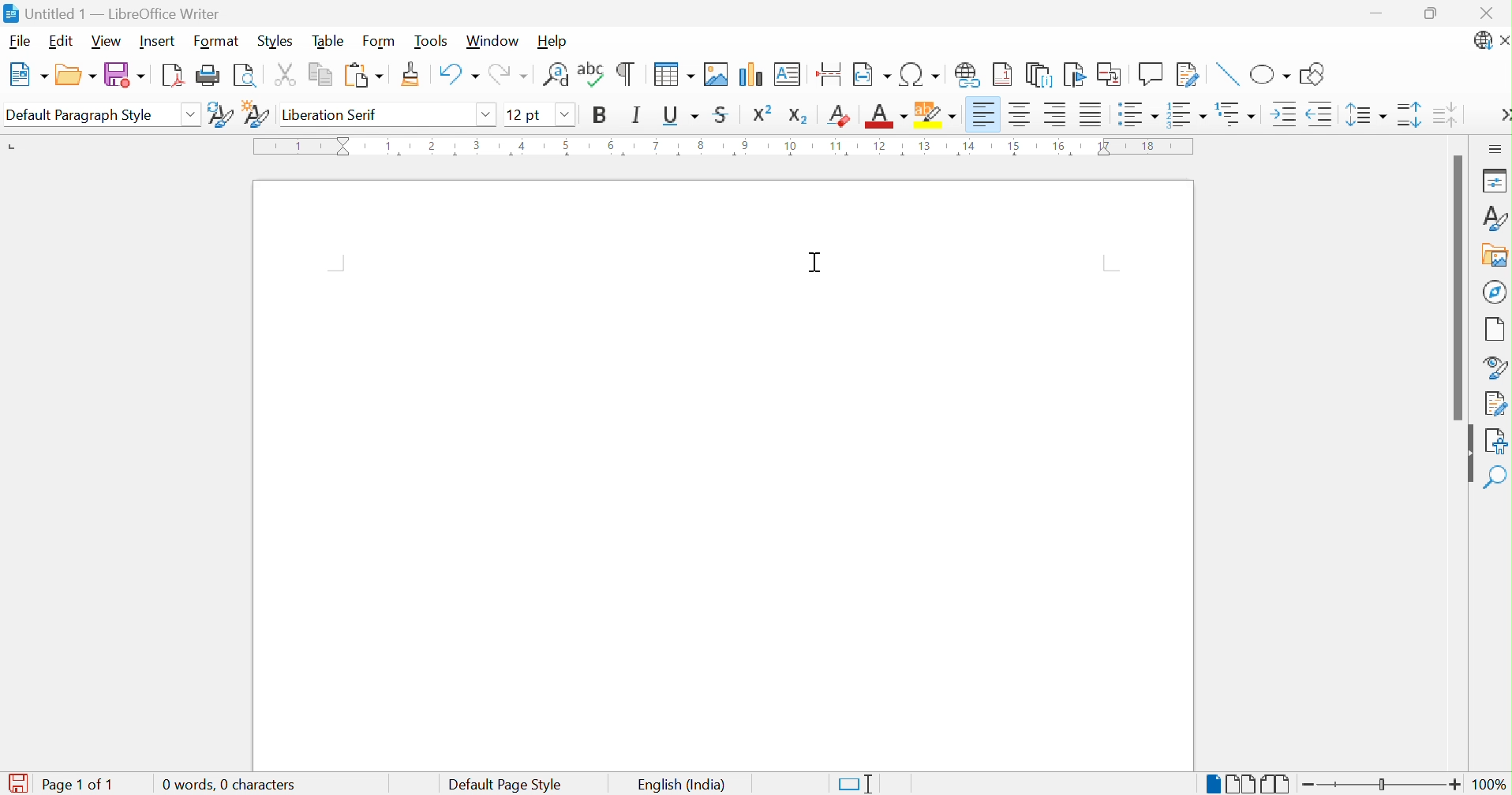 The width and height of the screenshot is (1512, 795). I want to click on Image annotation, so click(1228, 74).